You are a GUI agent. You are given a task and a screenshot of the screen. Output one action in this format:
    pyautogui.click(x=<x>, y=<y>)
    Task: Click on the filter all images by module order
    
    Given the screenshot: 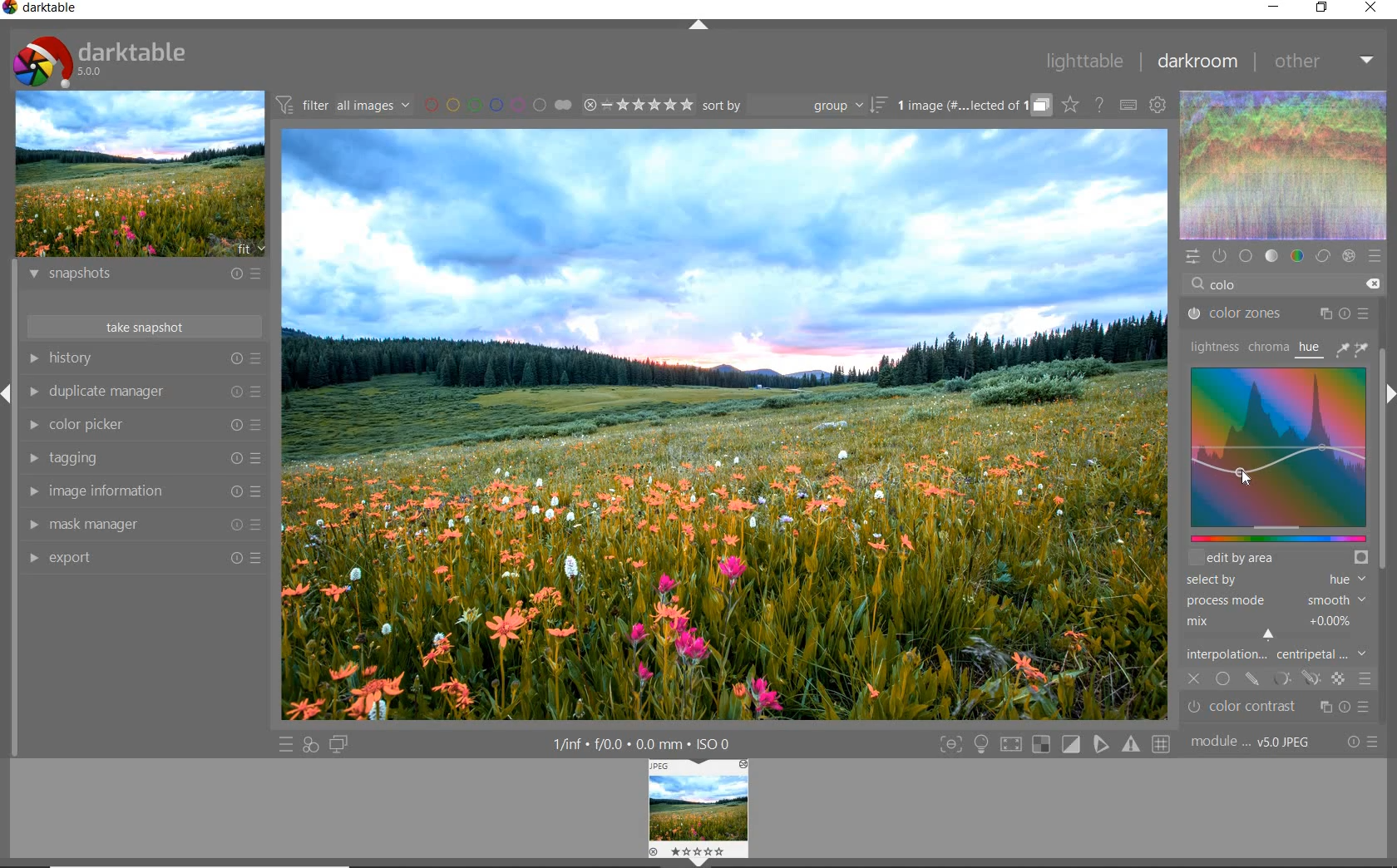 What is the action you would take?
    pyautogui.click(x=342, y=106)
    